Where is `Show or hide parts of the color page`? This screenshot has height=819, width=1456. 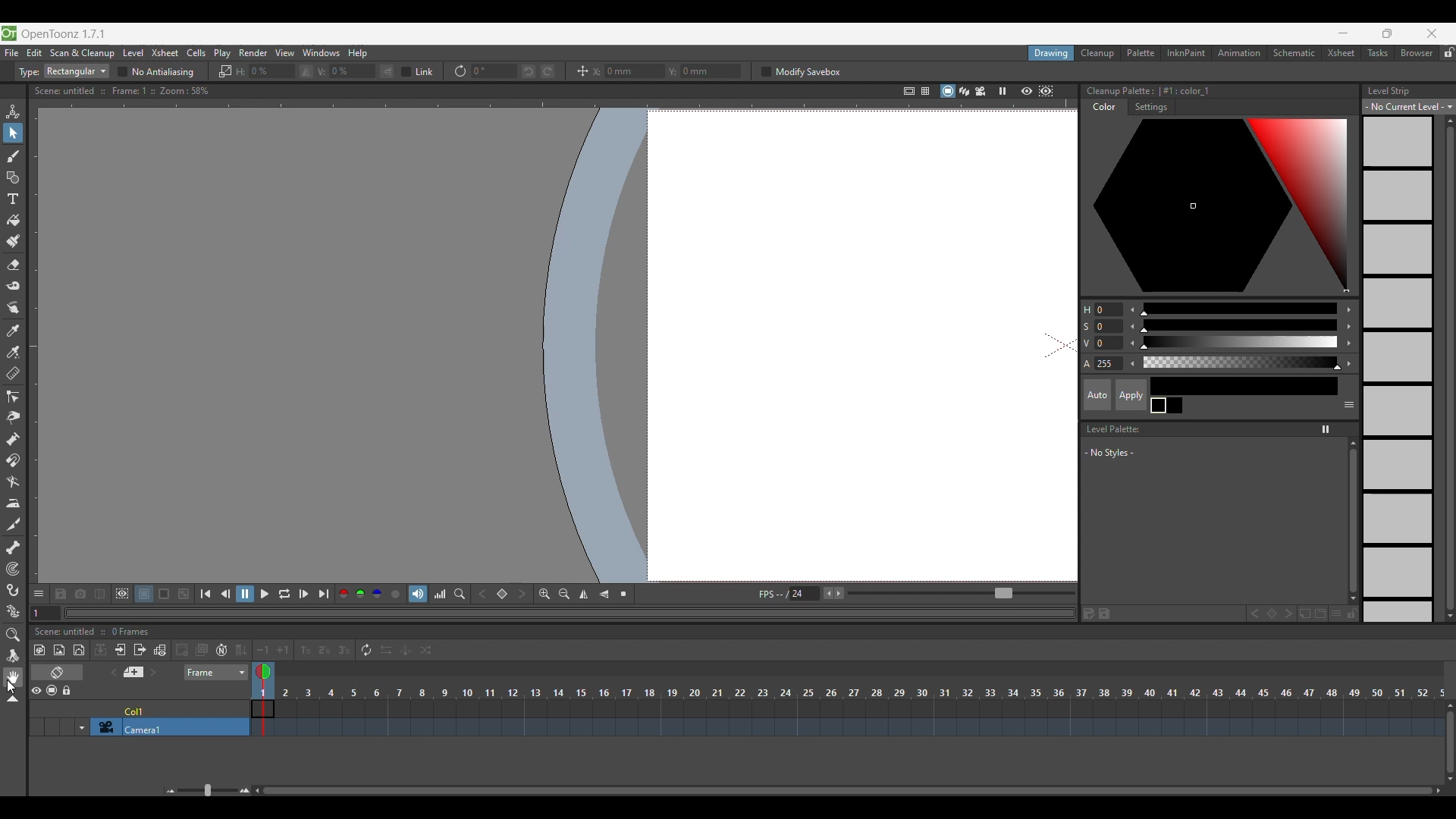 Show or hide parts of the color page is located at coordinates (1349, 404).